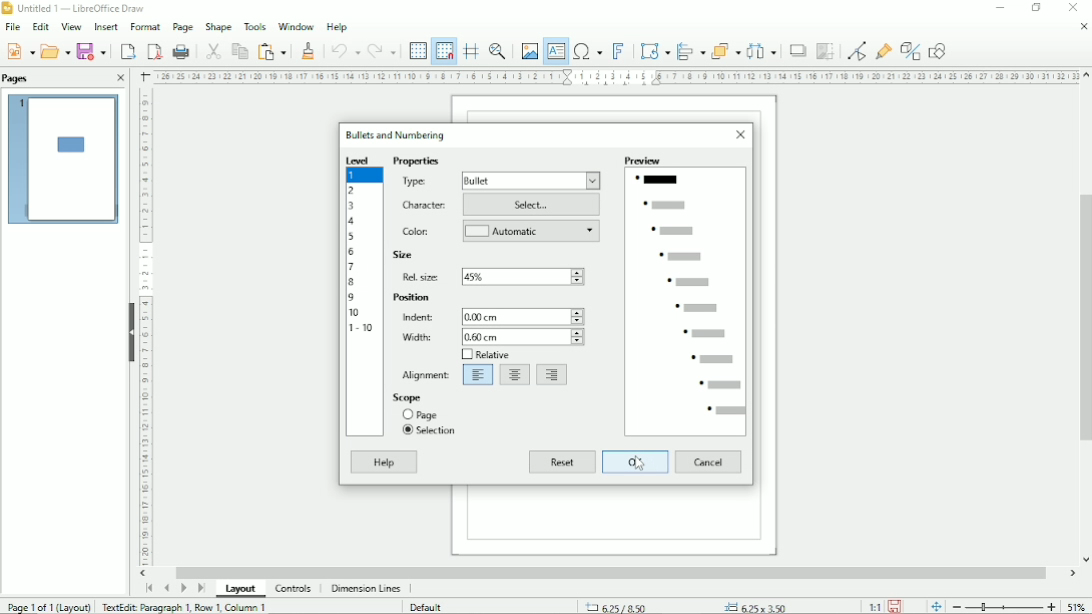 The height and width of the screenshot is (614, 1092). I want to click on Close, so click(121, 78).